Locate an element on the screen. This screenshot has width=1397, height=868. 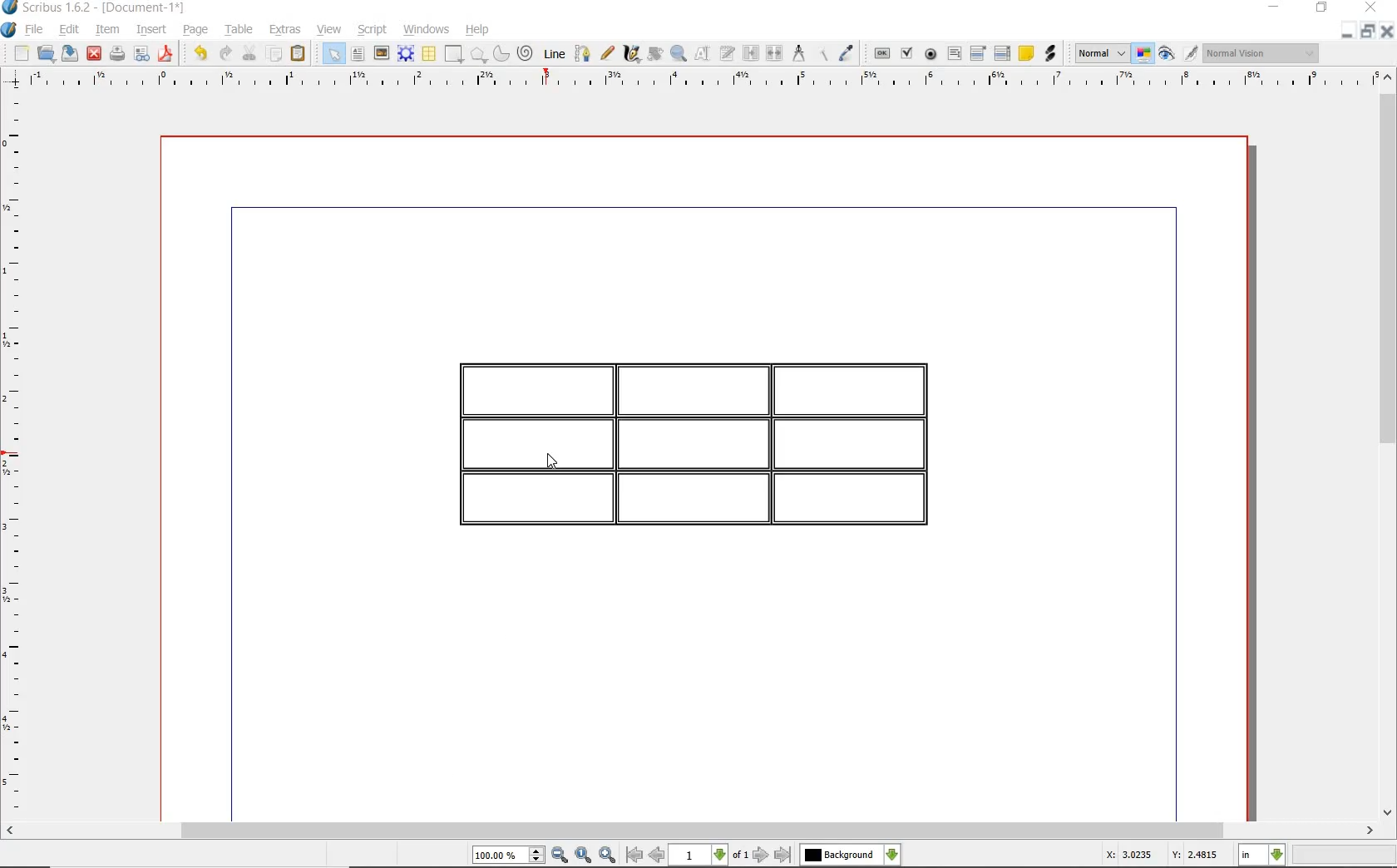
unlink text frames is located at coordinates (775, 53).